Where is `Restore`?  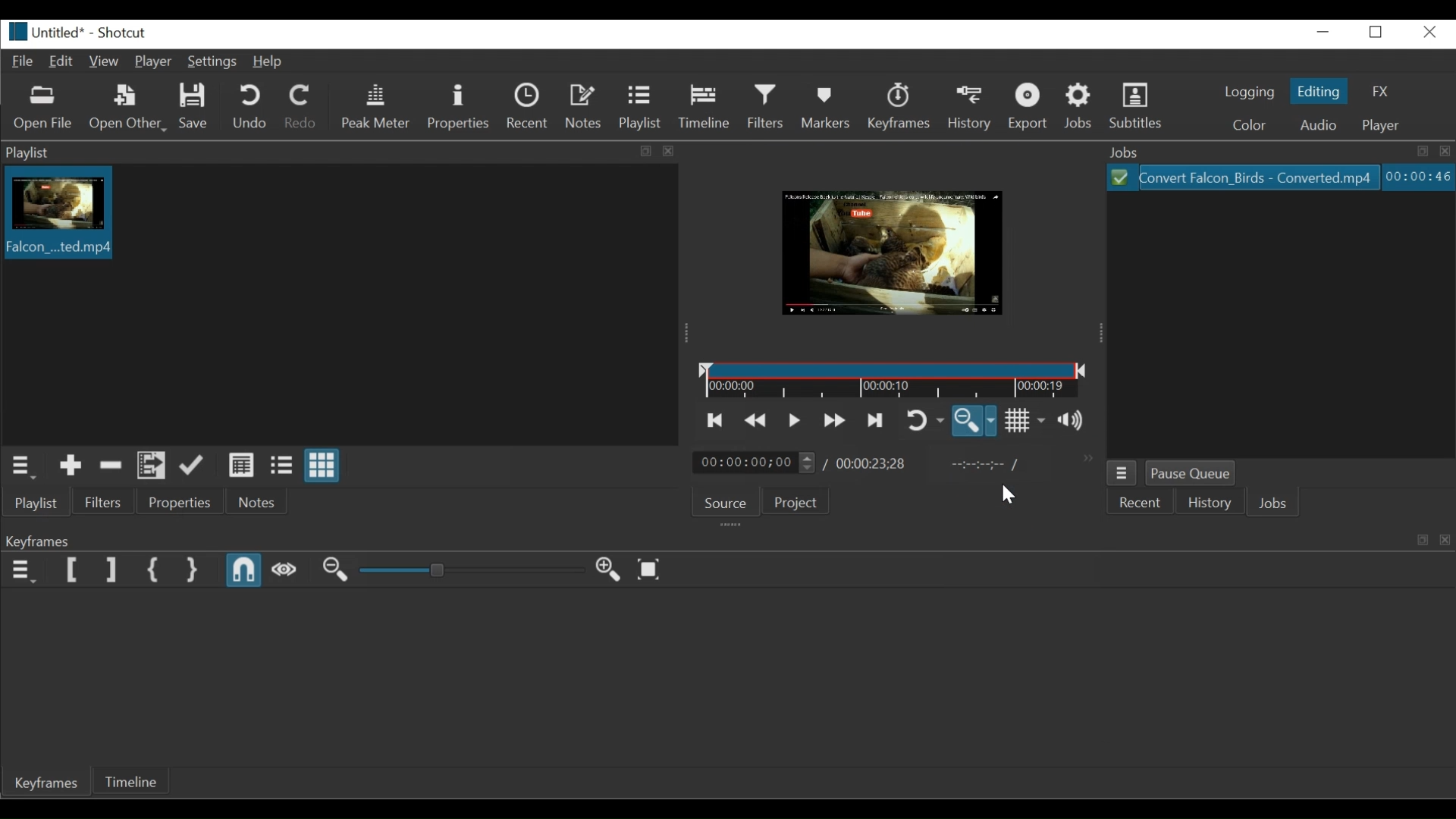
Restore is located at coordinates (1376, 33).